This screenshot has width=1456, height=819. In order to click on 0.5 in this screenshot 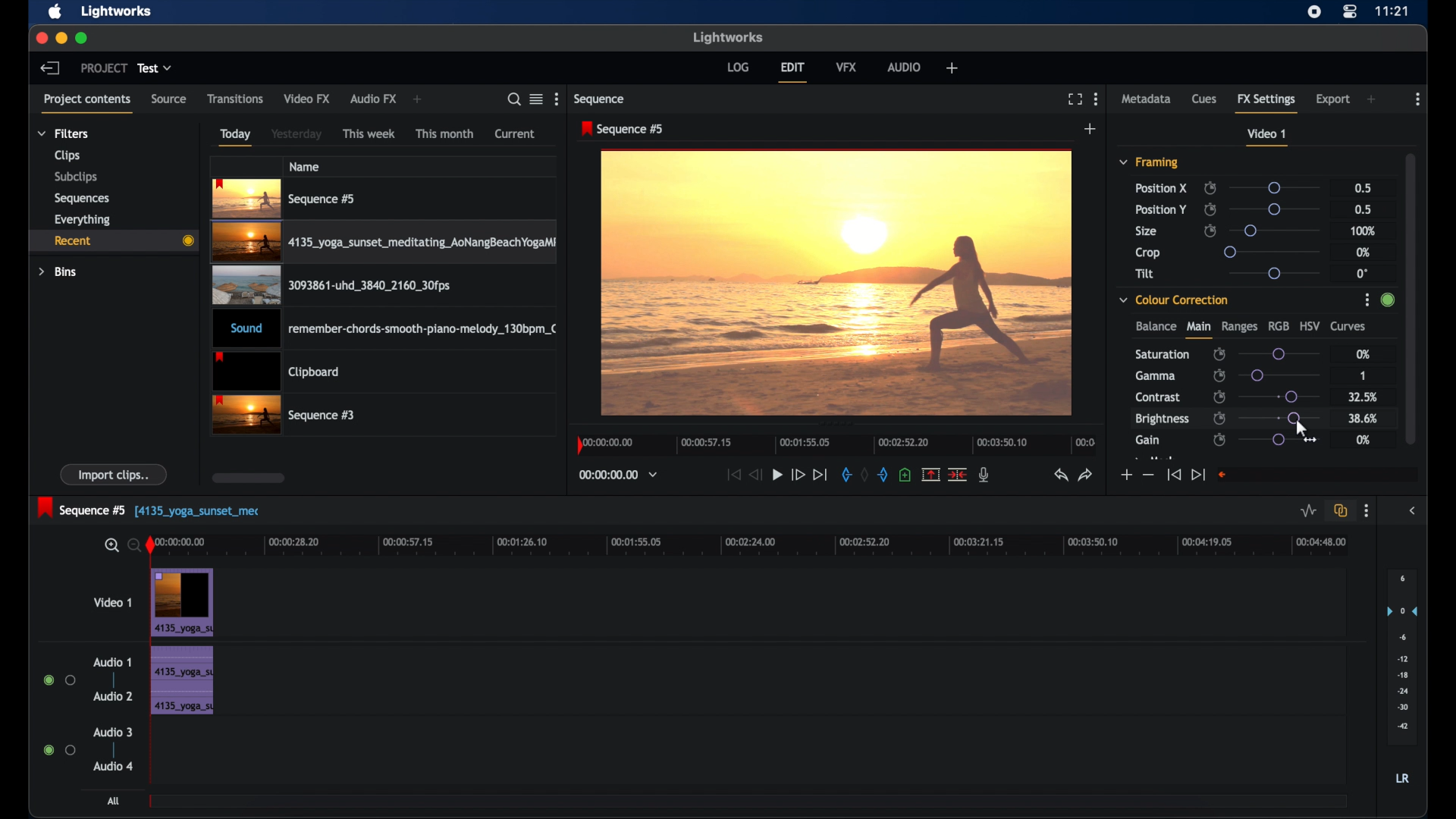, I will do `click(1363, 187)`.